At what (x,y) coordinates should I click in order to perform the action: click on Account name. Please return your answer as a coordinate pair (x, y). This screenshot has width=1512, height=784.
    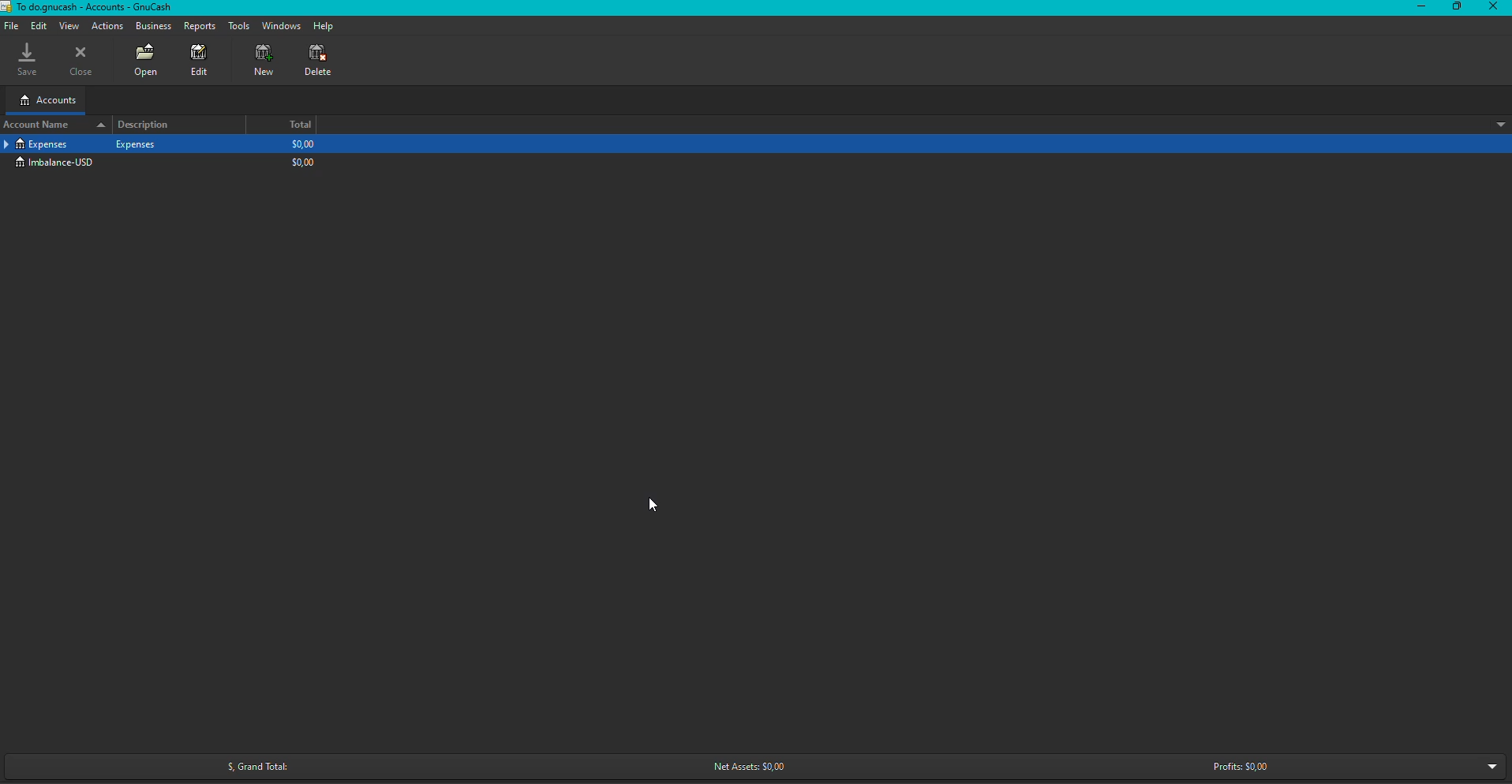
    Looking at the image, I should click on (39, 125).